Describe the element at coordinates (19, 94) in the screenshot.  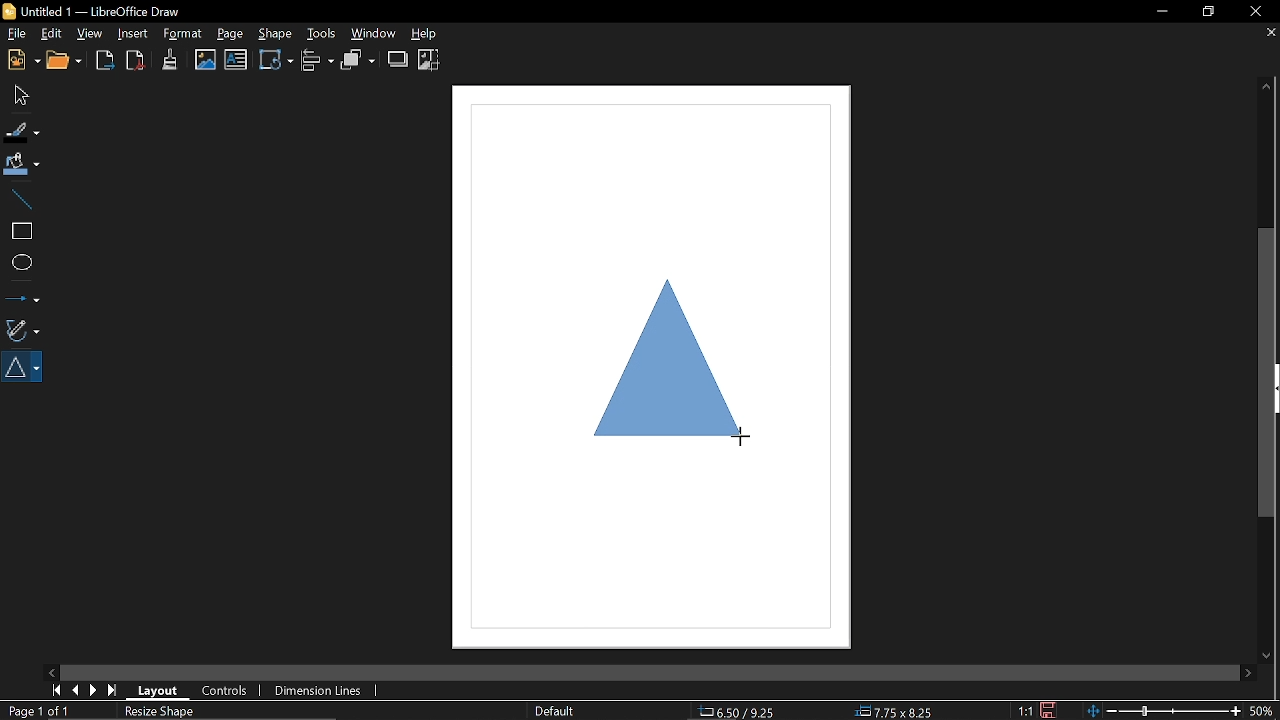
I see `Select` at that location.